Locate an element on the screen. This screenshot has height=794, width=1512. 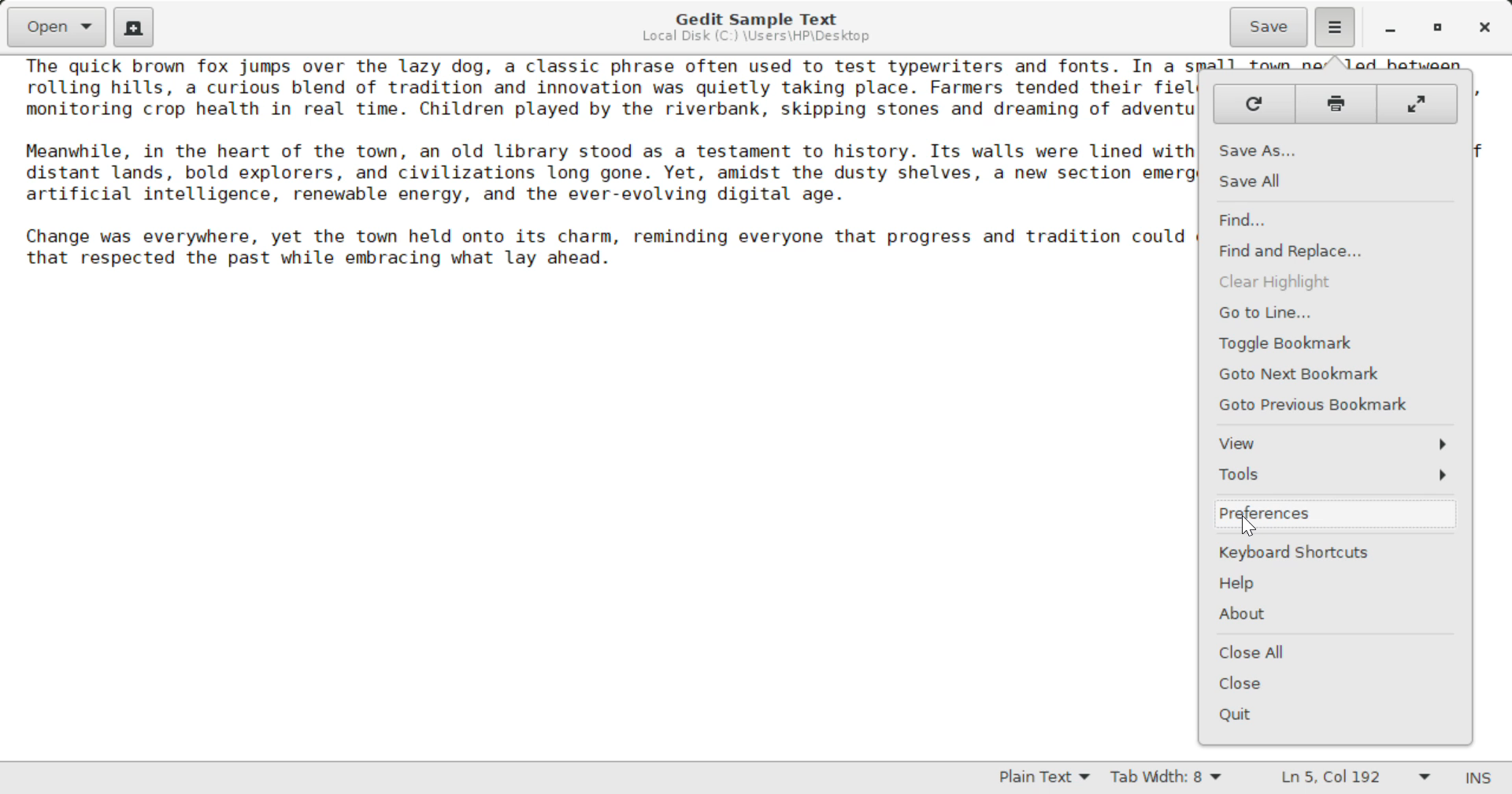
Restore Down  is located at coordinates (1391, 28).